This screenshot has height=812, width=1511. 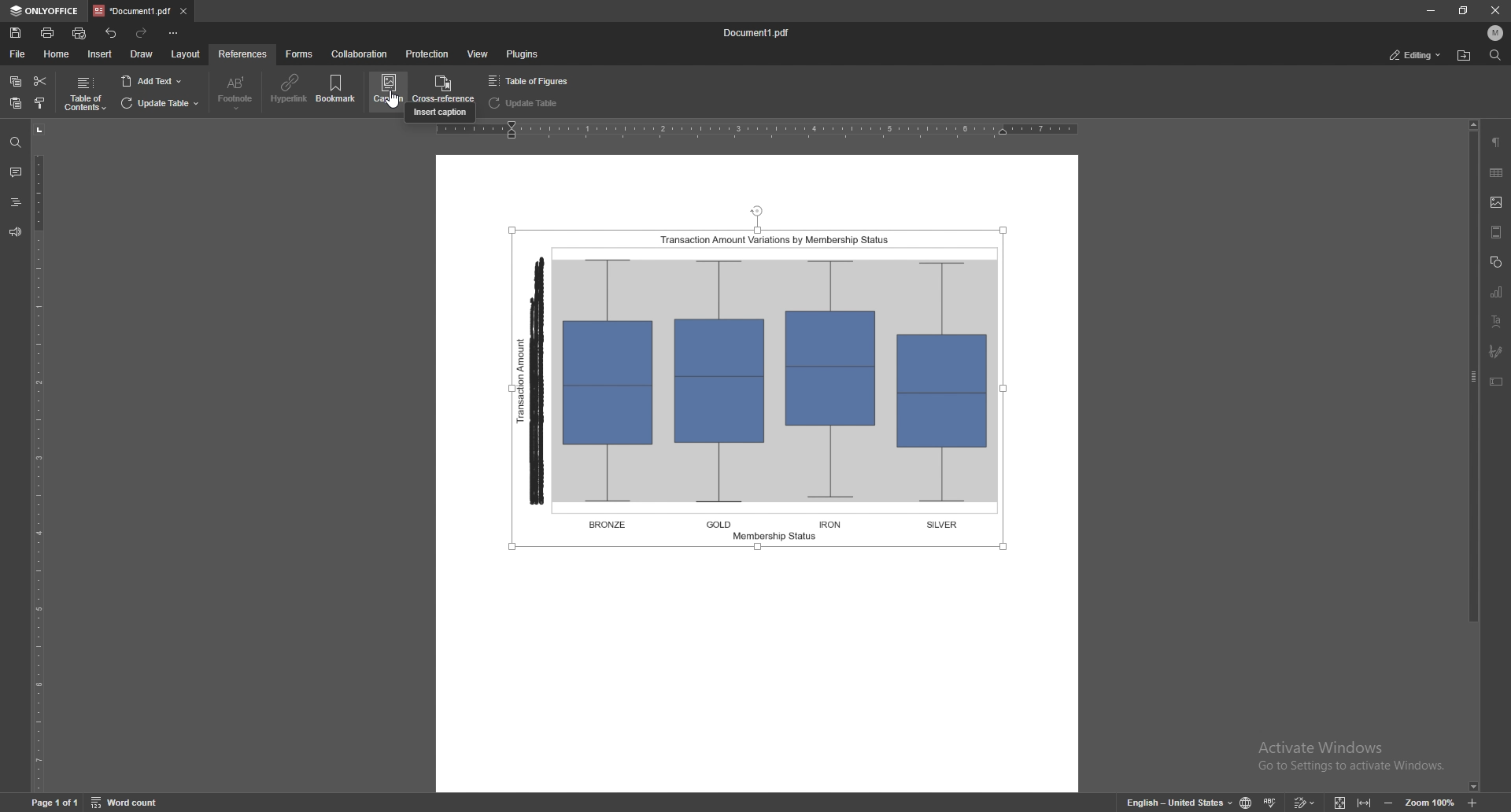 What do you see at coordinates (16, 143) in the screenshot?
I see `find` at bounding box center [16, 143].